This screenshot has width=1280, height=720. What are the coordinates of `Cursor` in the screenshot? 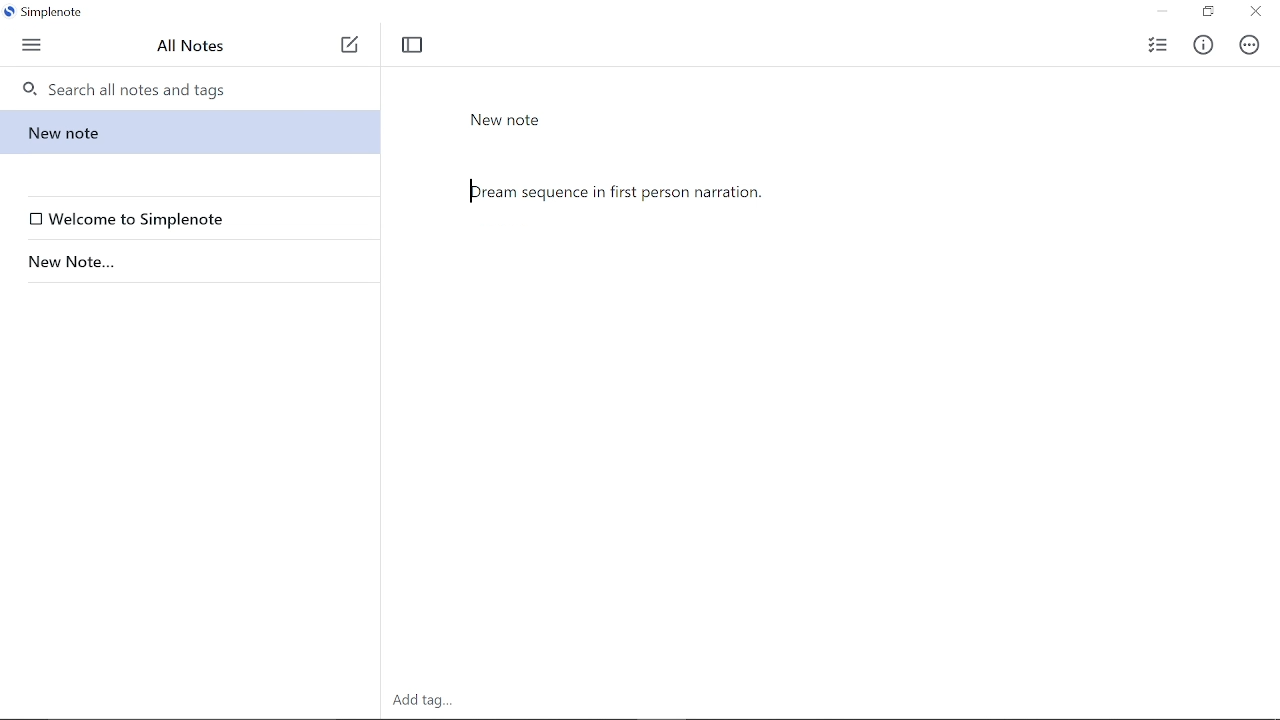 It's located at (471, 191).